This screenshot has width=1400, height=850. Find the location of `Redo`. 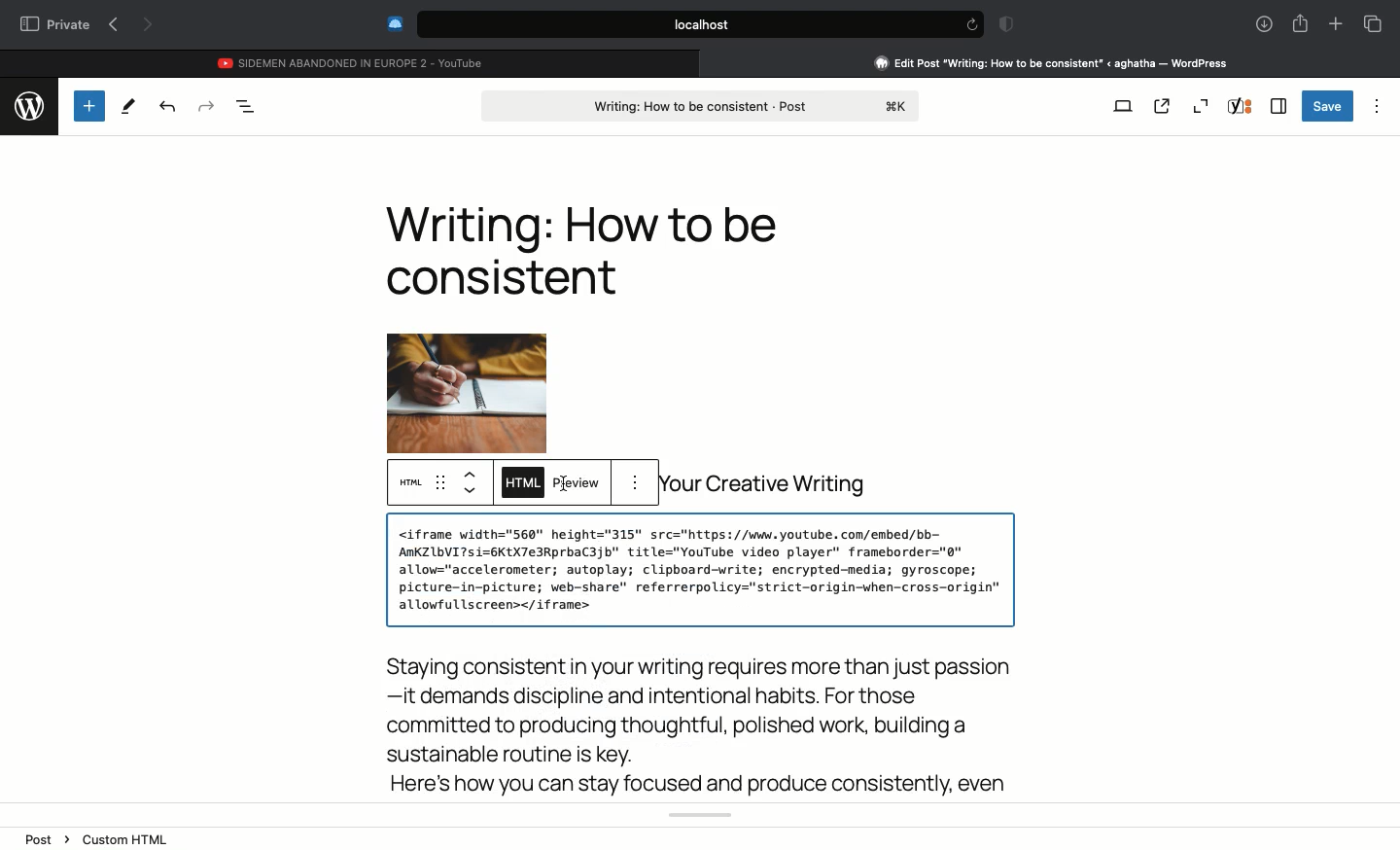

Redo is located at coordinates (206, 106).